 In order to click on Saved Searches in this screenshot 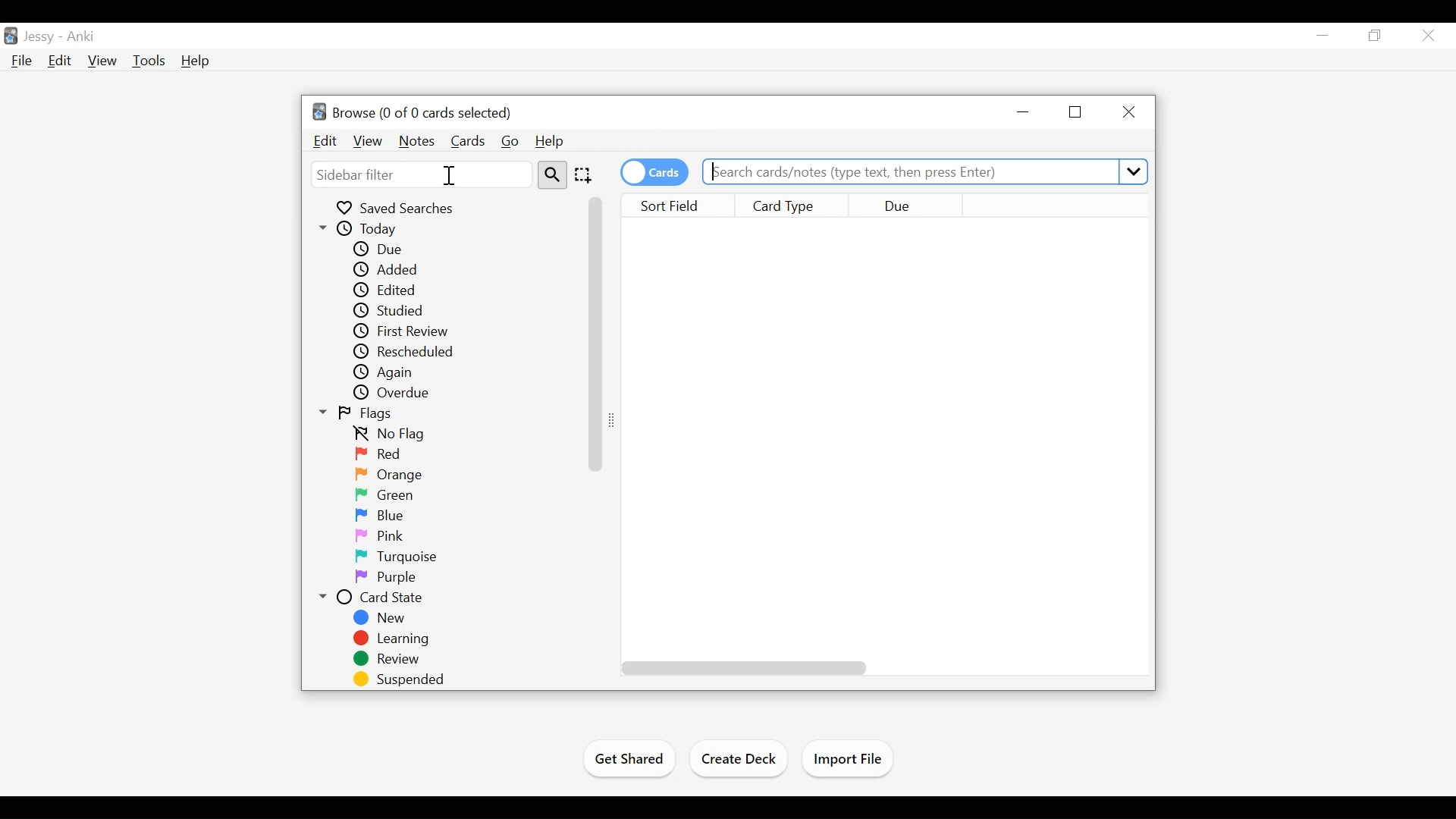, I will do `click(397, 208)`.